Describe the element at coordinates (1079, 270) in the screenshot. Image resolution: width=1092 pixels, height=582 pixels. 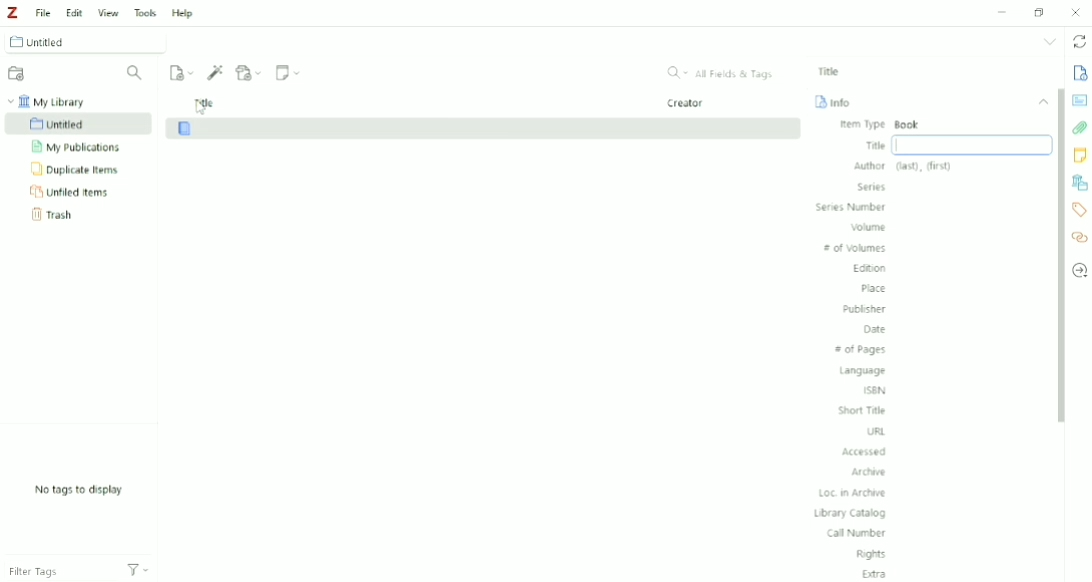
I see `Locate` at that location.